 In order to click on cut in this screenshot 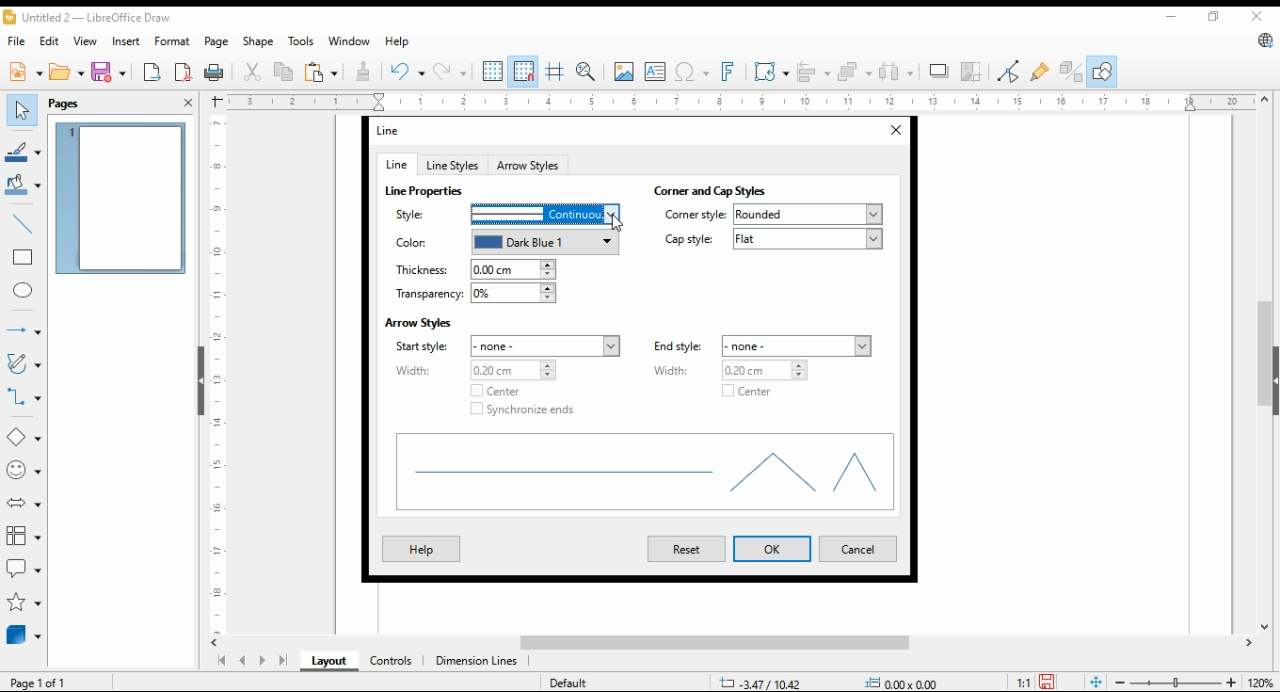, I will do `click(250, 73)`.